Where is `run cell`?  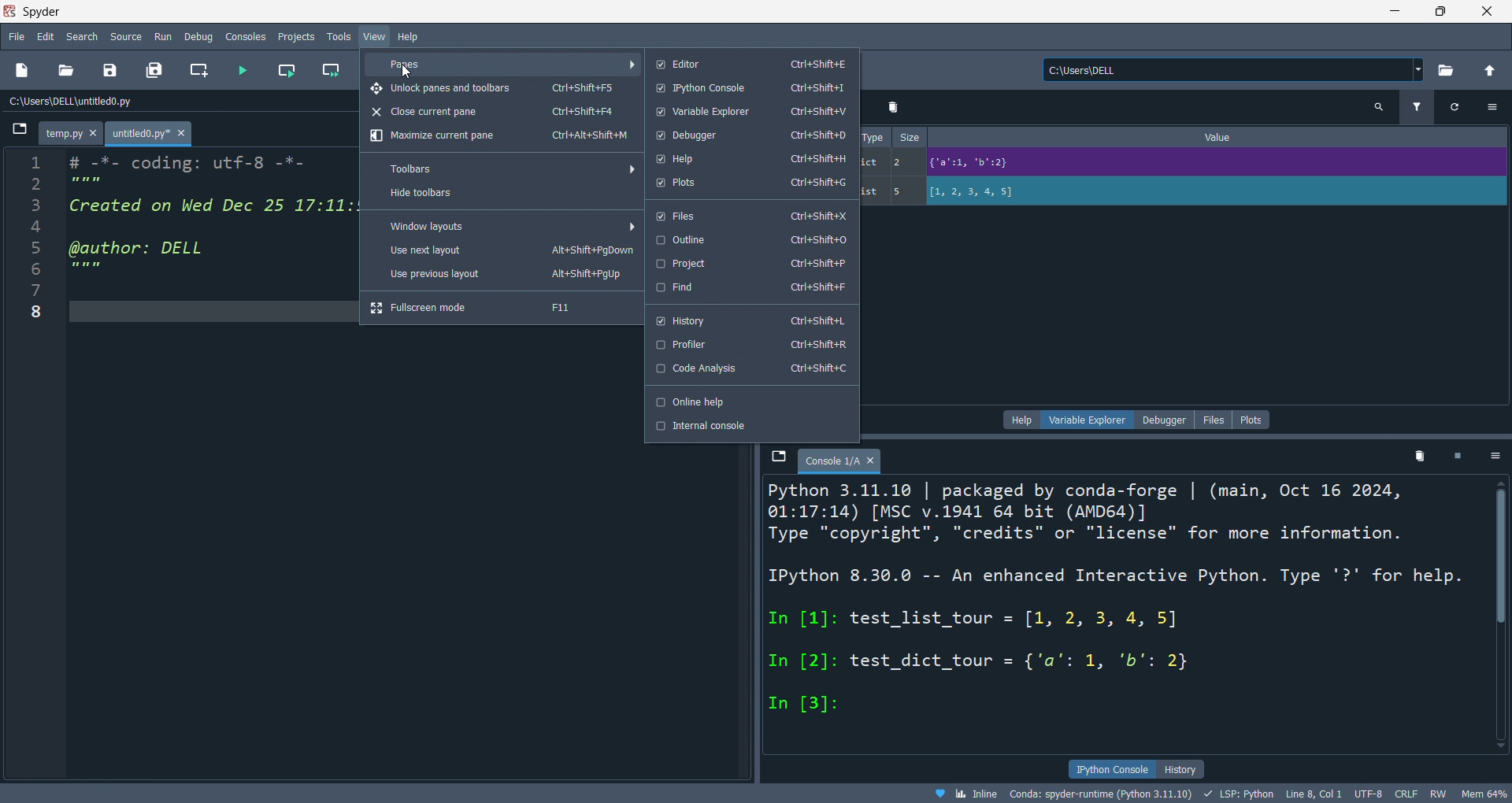
run cell is located at coordinates (285, 72).